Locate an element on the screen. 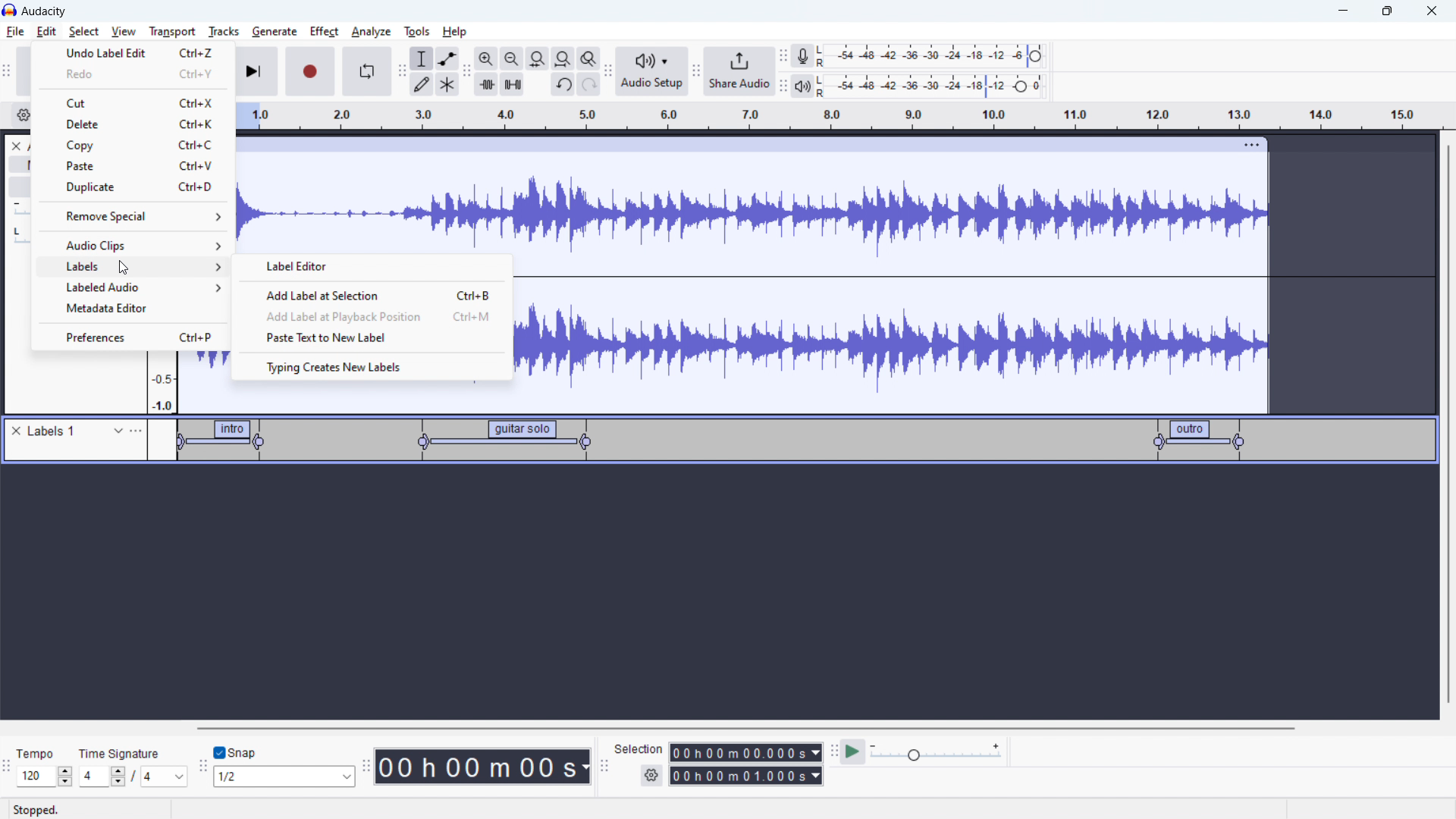  timestamp is located at coordinates (483, 765).